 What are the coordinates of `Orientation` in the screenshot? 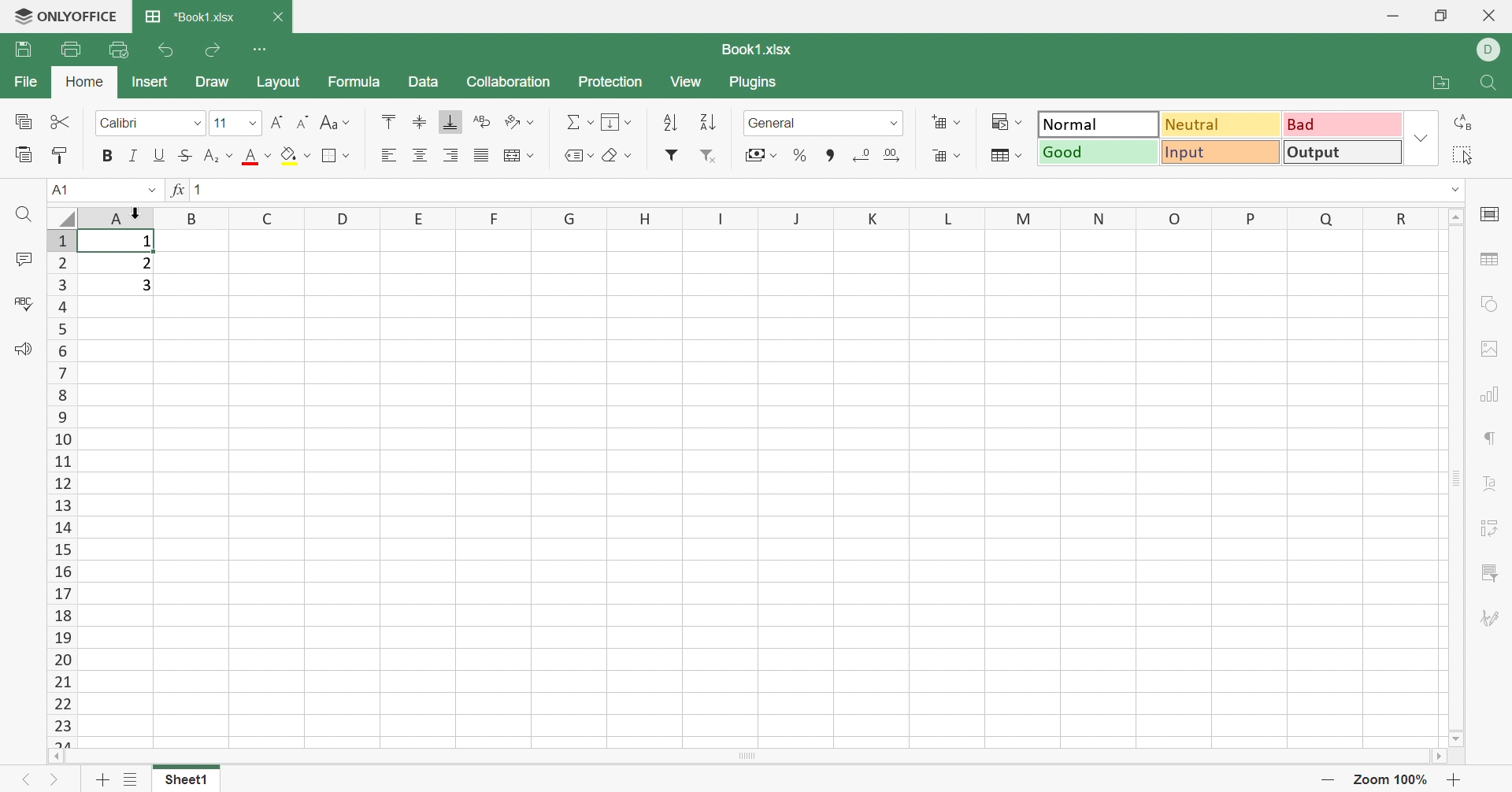 It's located at (521, 124).